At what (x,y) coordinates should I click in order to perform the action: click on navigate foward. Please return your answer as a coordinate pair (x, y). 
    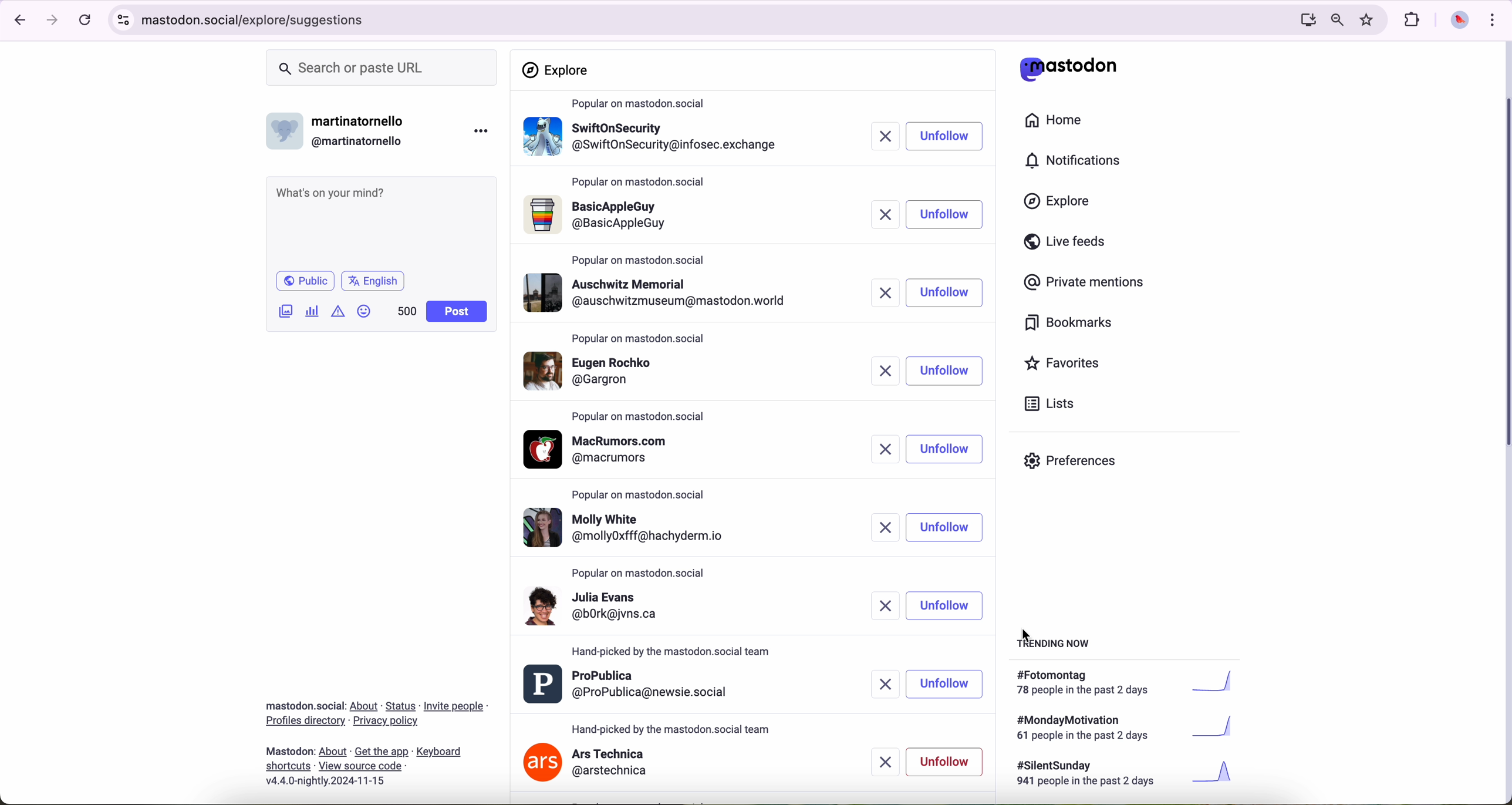
    Looking at the image, I should click on (53, 21).